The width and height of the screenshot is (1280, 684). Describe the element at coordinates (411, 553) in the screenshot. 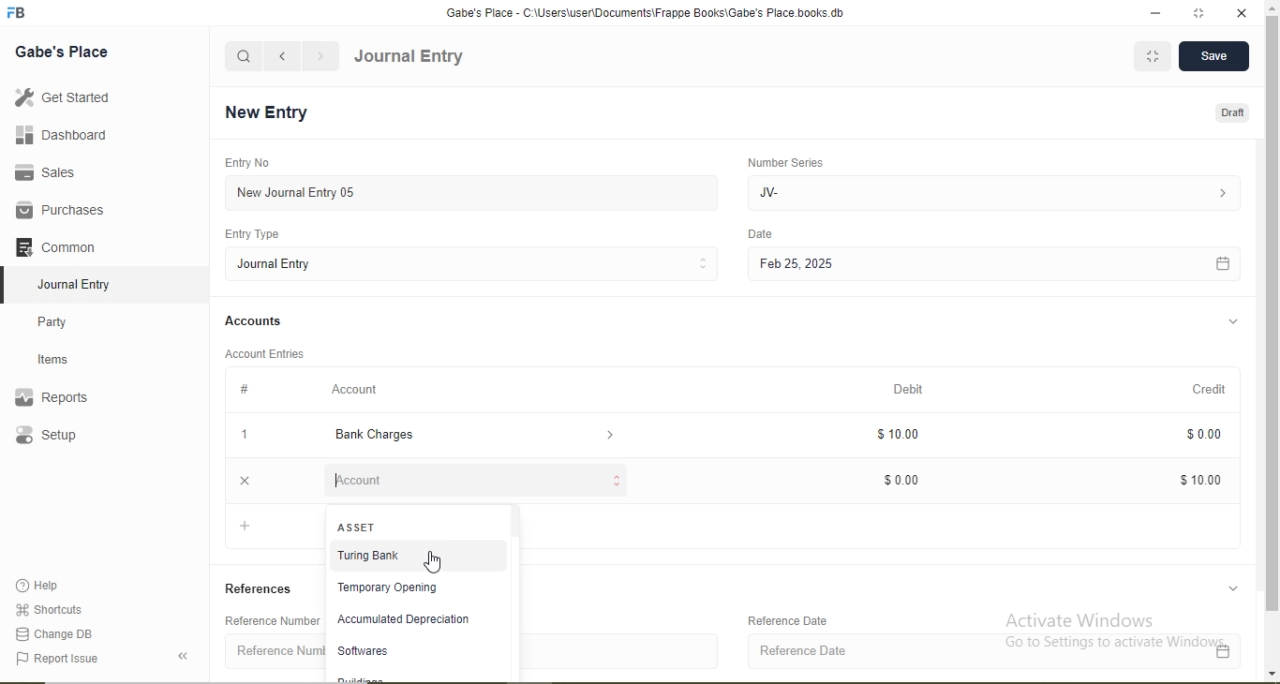

I see `Turing Bank` at that location.